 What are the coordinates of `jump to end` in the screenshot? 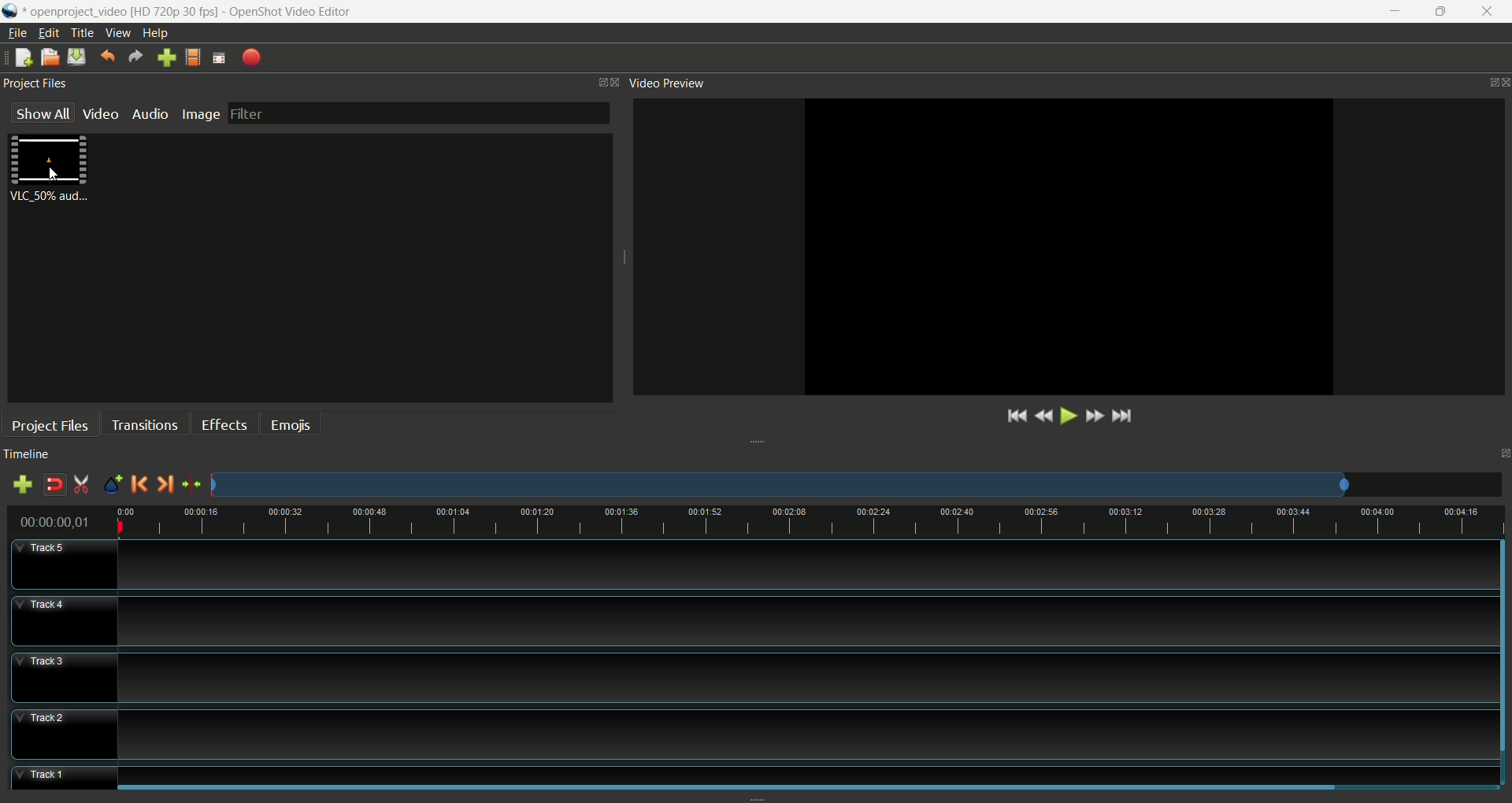 It's located at (1121, 417).